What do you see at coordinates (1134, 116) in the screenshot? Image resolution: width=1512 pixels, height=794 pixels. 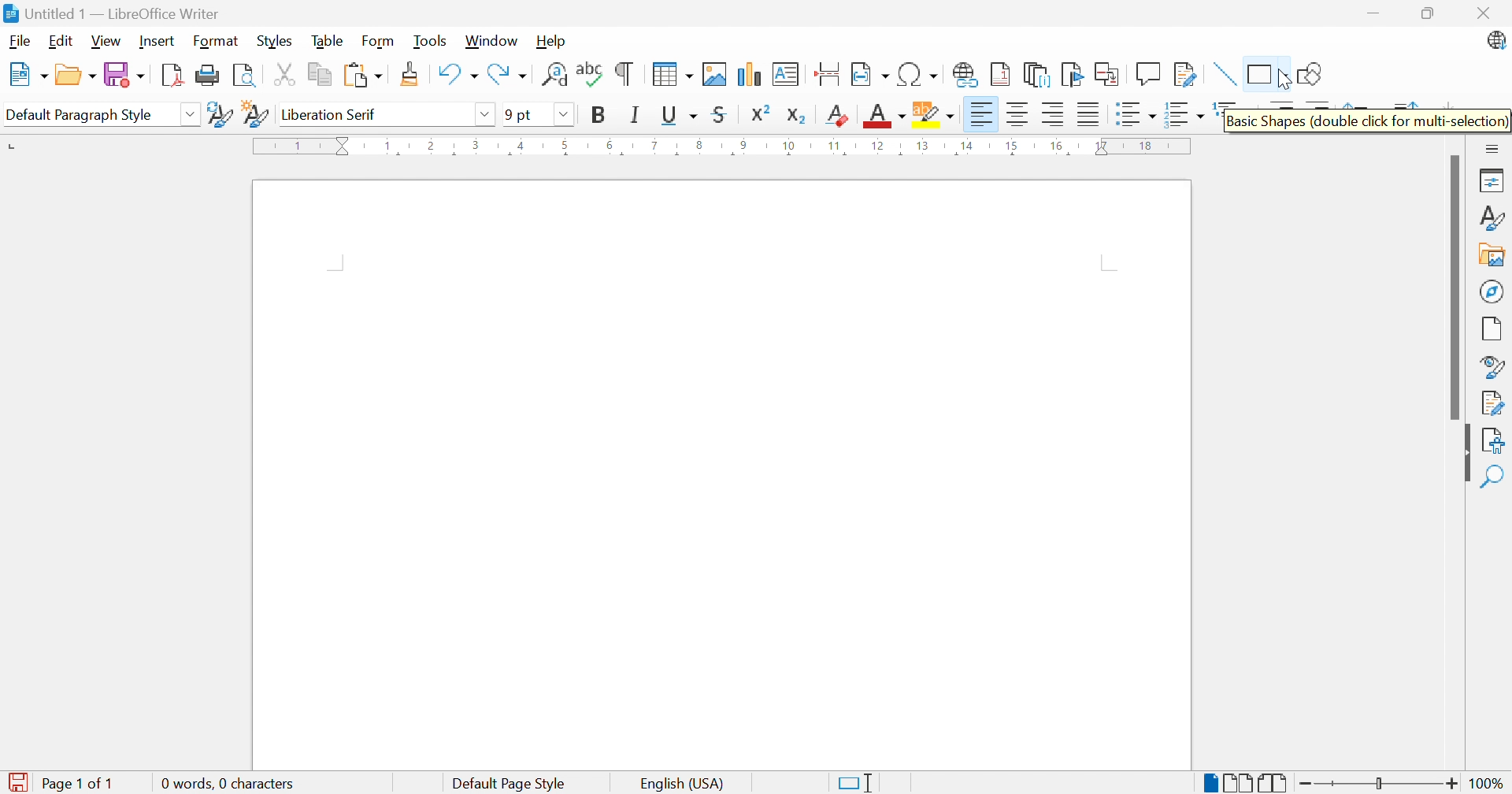 I see `Toggle unordered list` at bounding box center [1134, 116].